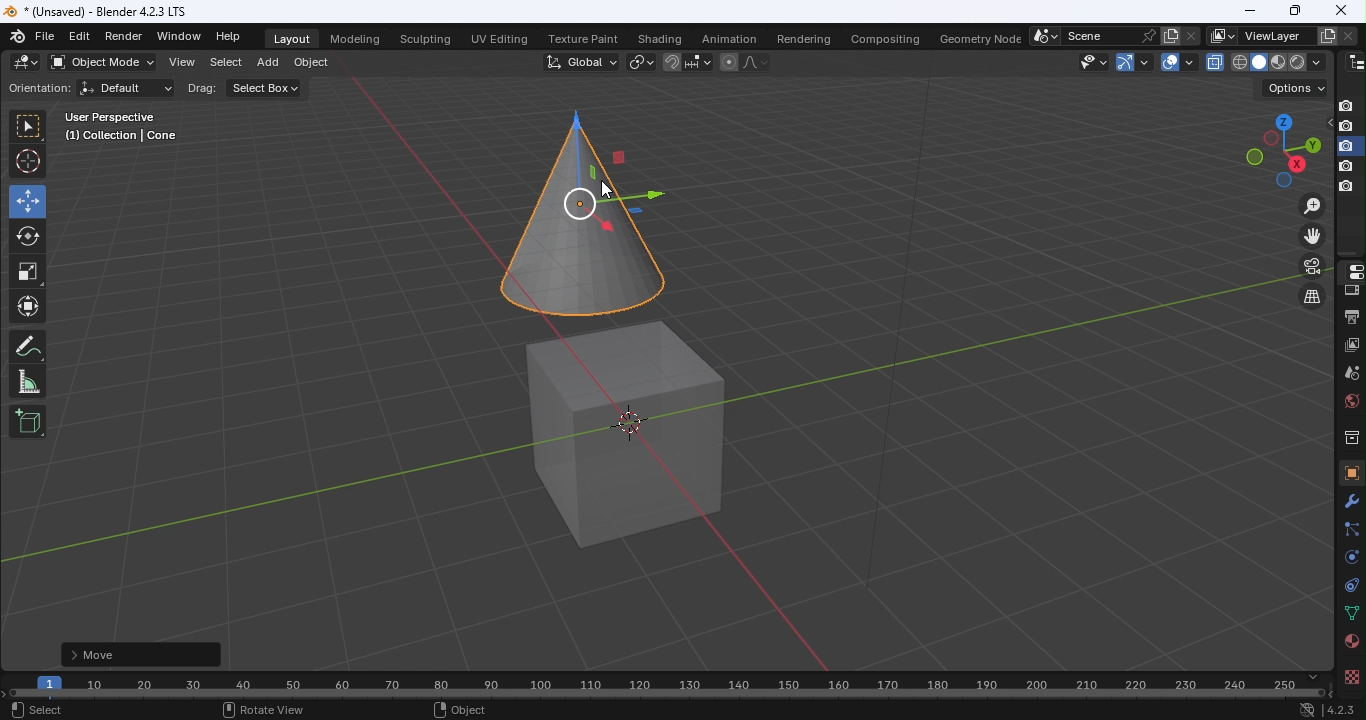  What do you see at coordinates (27, 62) in the screenshot?
I see `Editor type` at bounding box center [27, 62].